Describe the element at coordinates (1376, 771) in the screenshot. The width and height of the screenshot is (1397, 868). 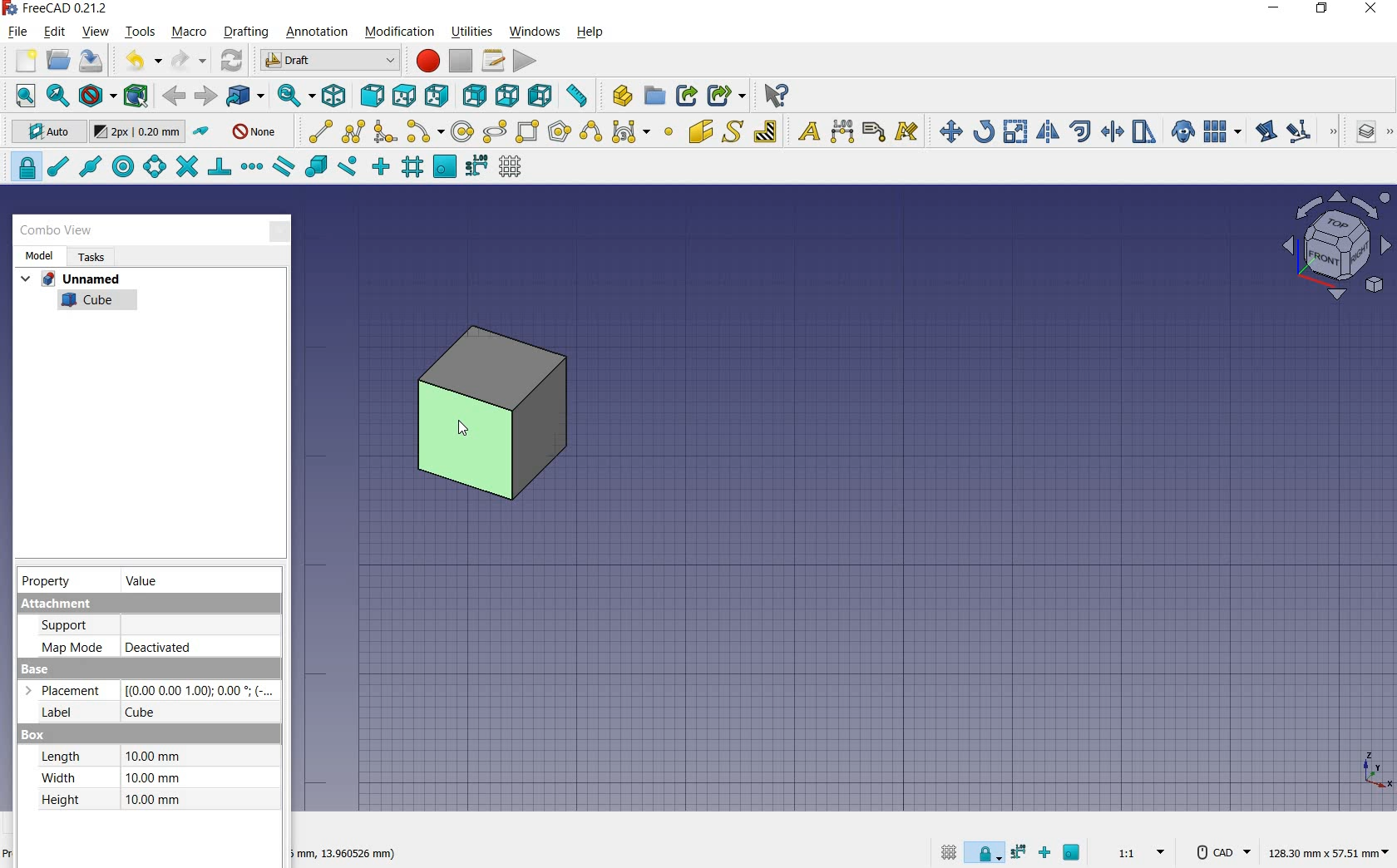
I see `xyz point` at that location.